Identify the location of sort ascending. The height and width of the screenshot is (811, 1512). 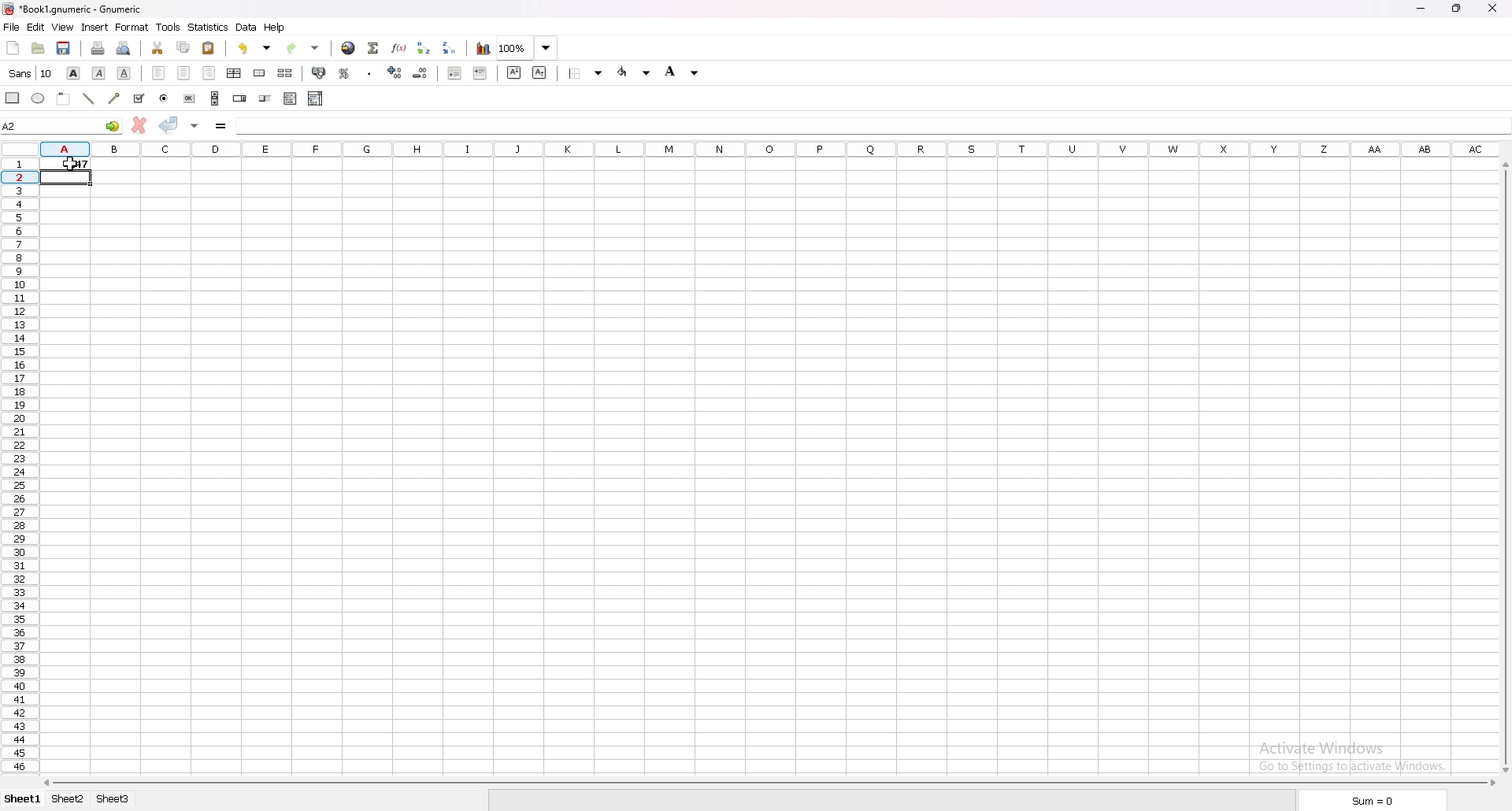
(421, 48).